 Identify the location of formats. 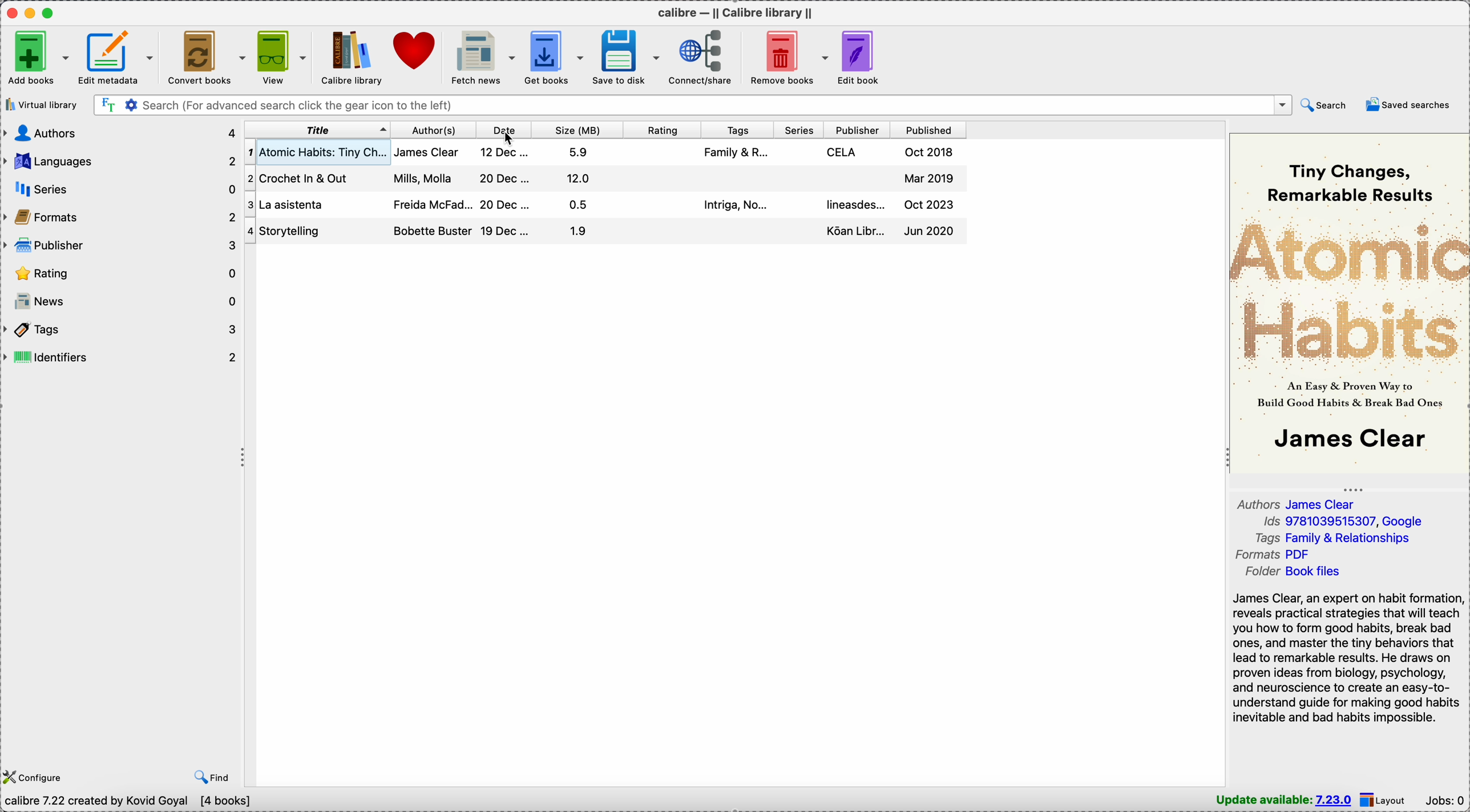
(122, 219).